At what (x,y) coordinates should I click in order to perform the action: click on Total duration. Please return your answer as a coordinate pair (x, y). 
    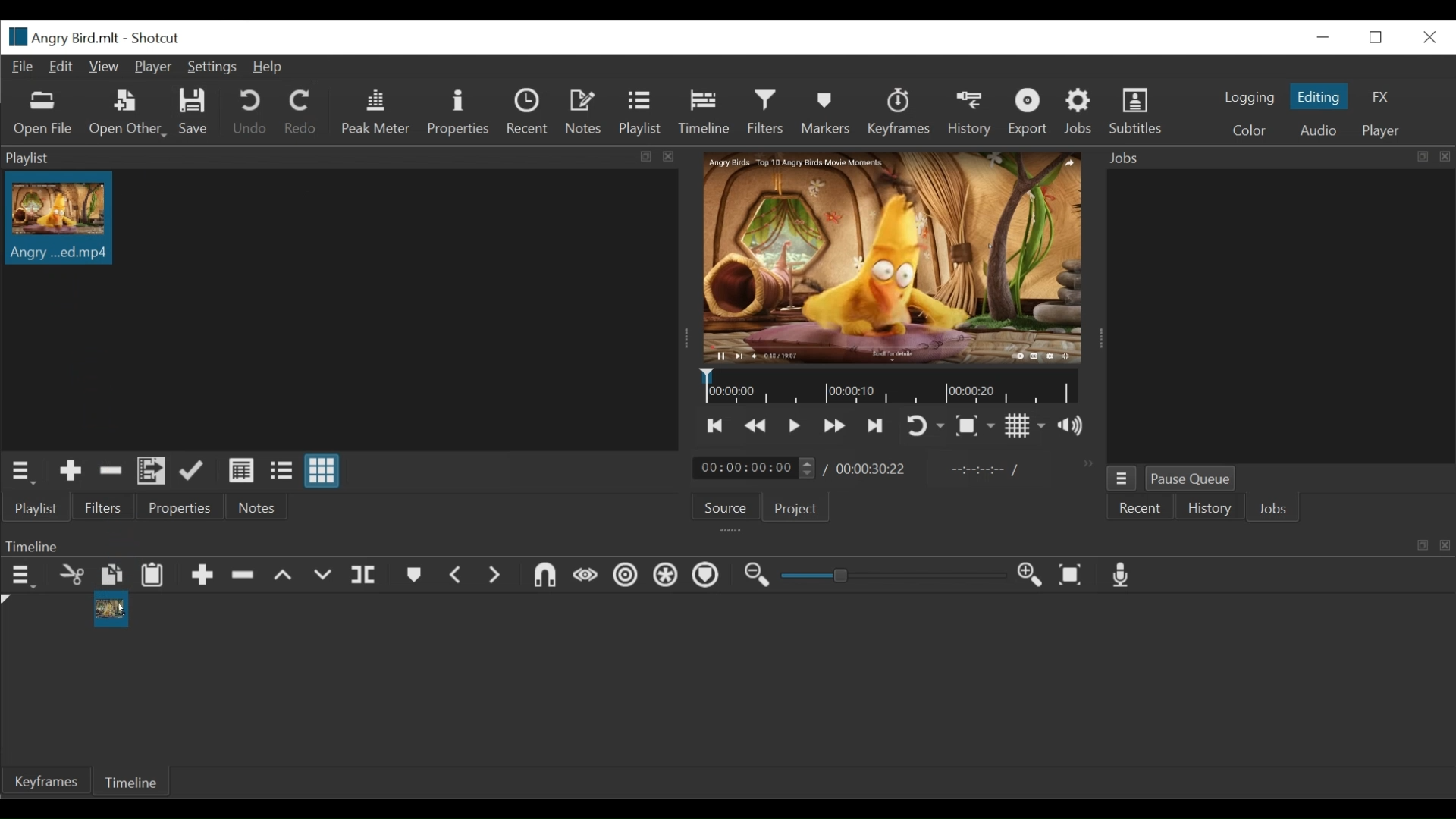
    Looking at the image, I should click on (872, 468).